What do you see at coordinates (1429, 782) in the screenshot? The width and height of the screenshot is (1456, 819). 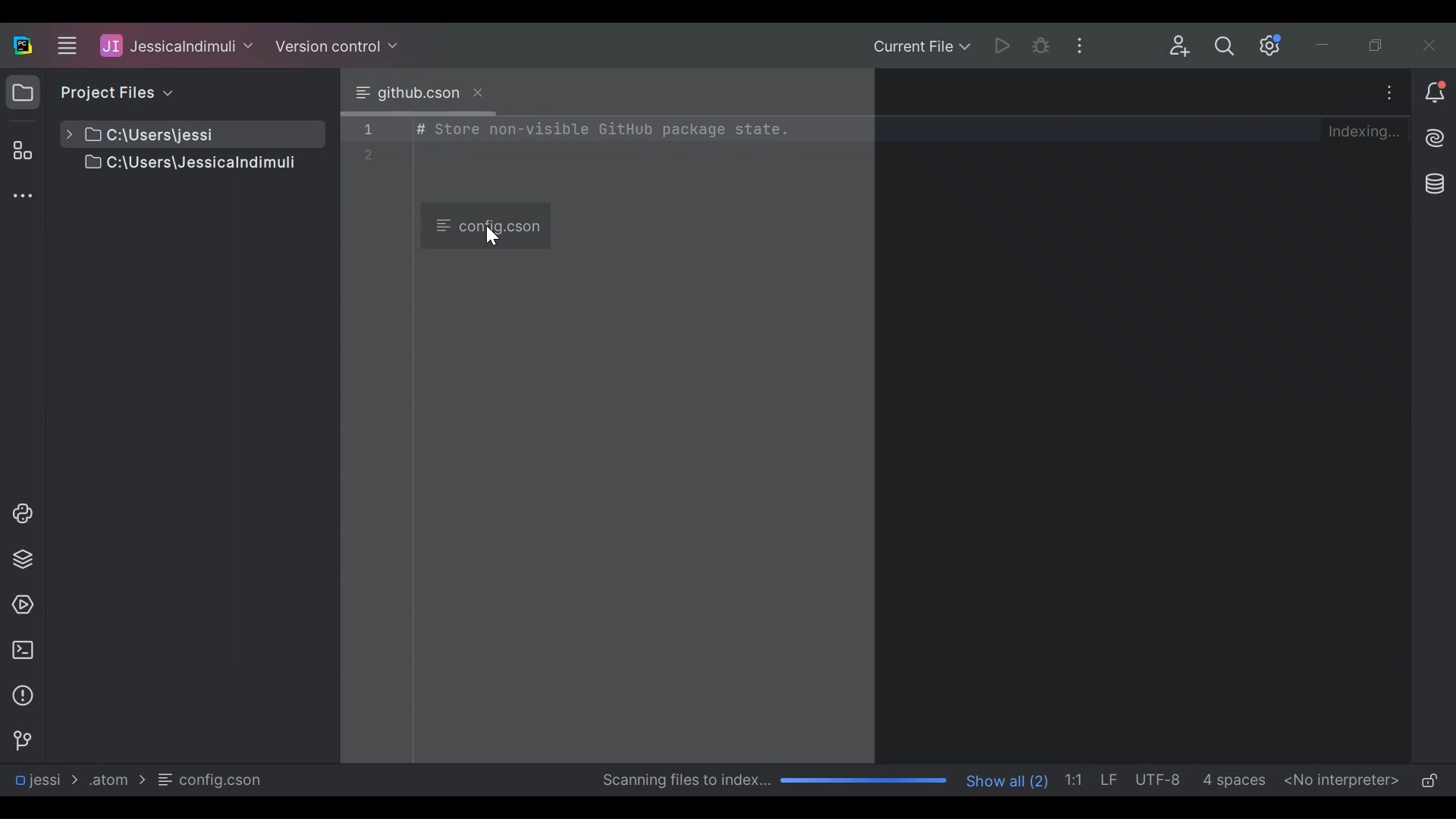 I see `(un)lock` at bounding box center [1429, 782].